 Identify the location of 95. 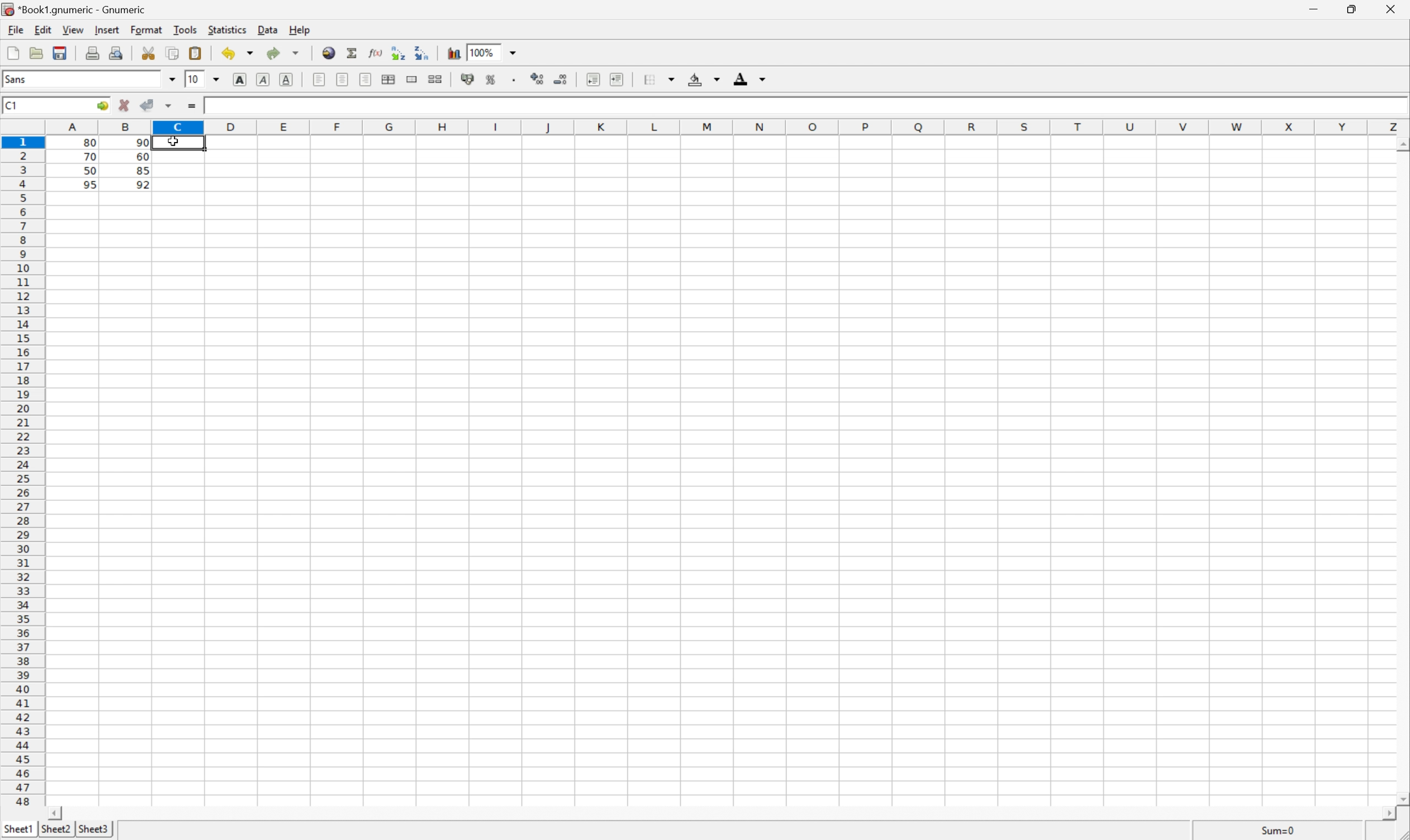
(89, 185).